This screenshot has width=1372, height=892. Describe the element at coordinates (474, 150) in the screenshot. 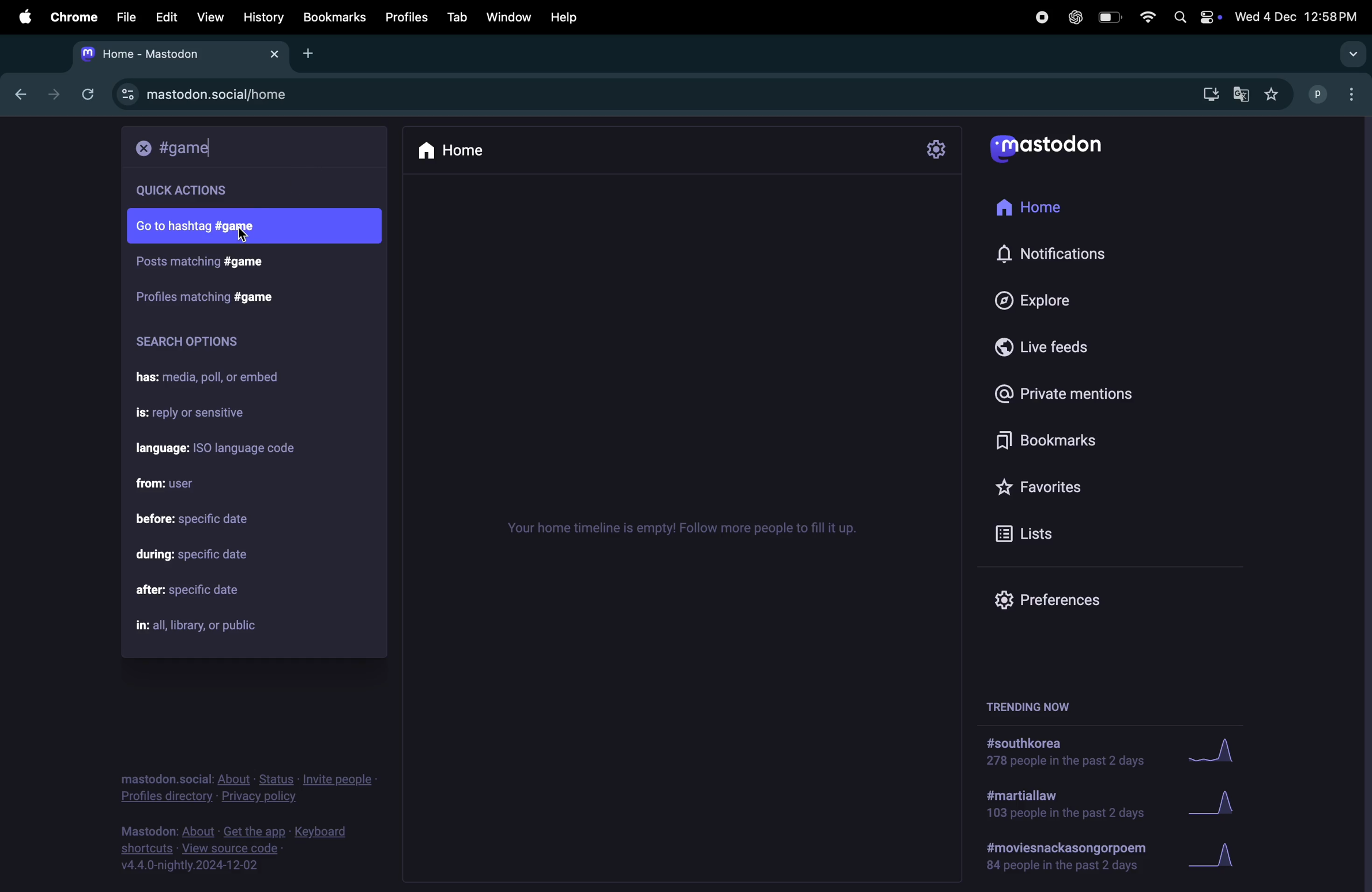

I see `Home` at that location.